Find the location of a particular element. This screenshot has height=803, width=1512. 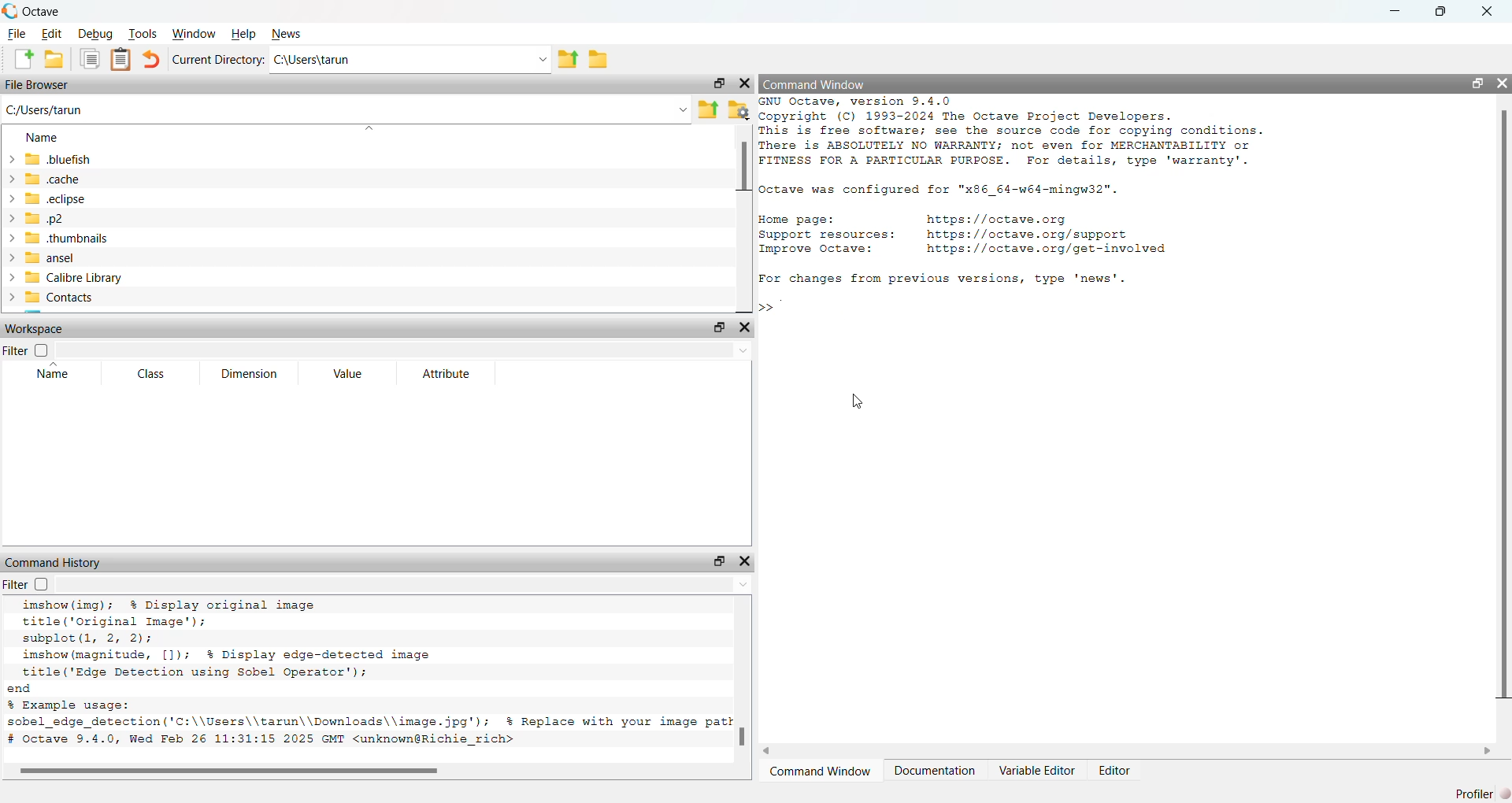

Current Directory: is located at coordinates (217, 61).